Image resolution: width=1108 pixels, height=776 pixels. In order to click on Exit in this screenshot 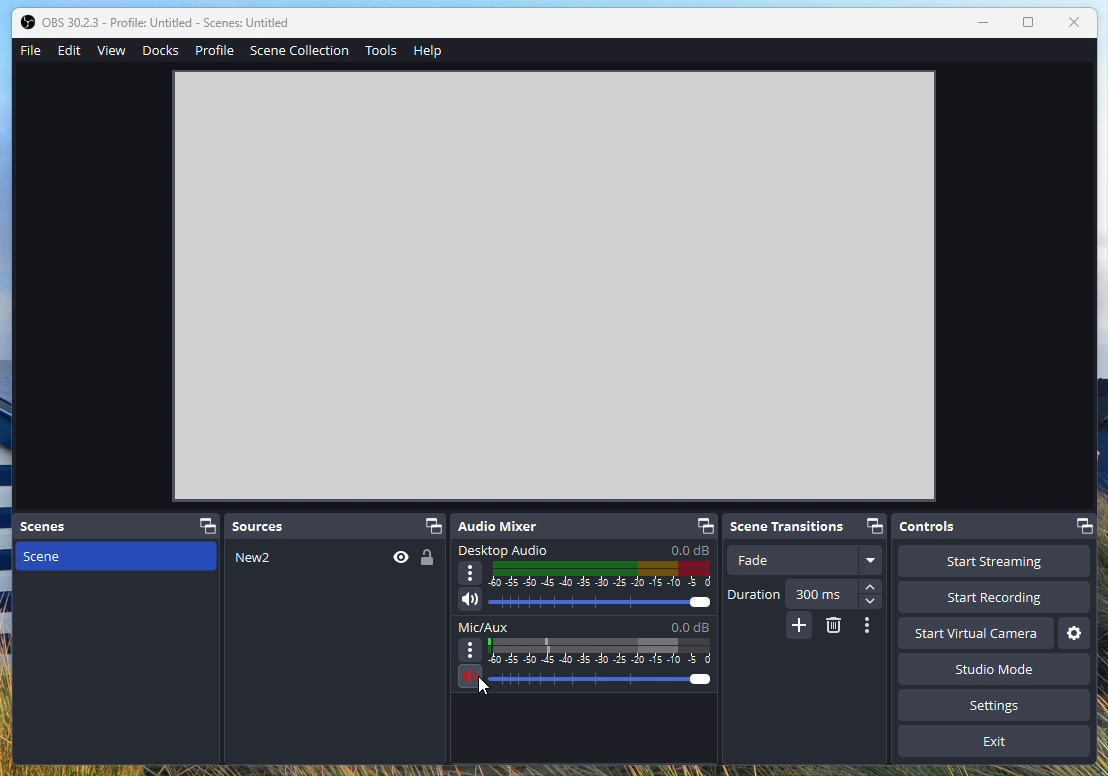, I will do `click(994, 742)`.